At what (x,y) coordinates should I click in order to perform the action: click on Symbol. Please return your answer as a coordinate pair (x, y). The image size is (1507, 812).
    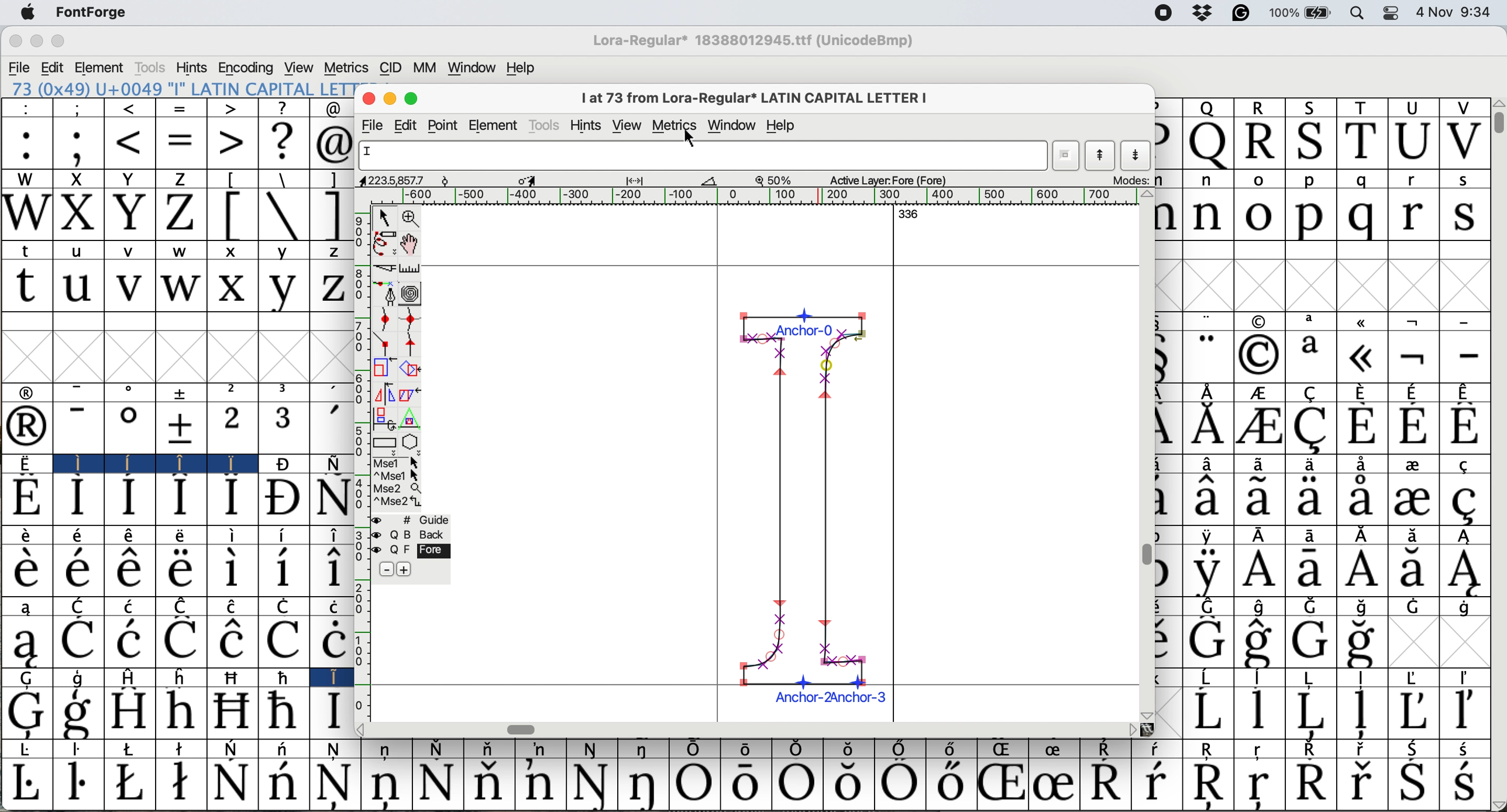
    Looking at the image, I should click on (1415, 535).